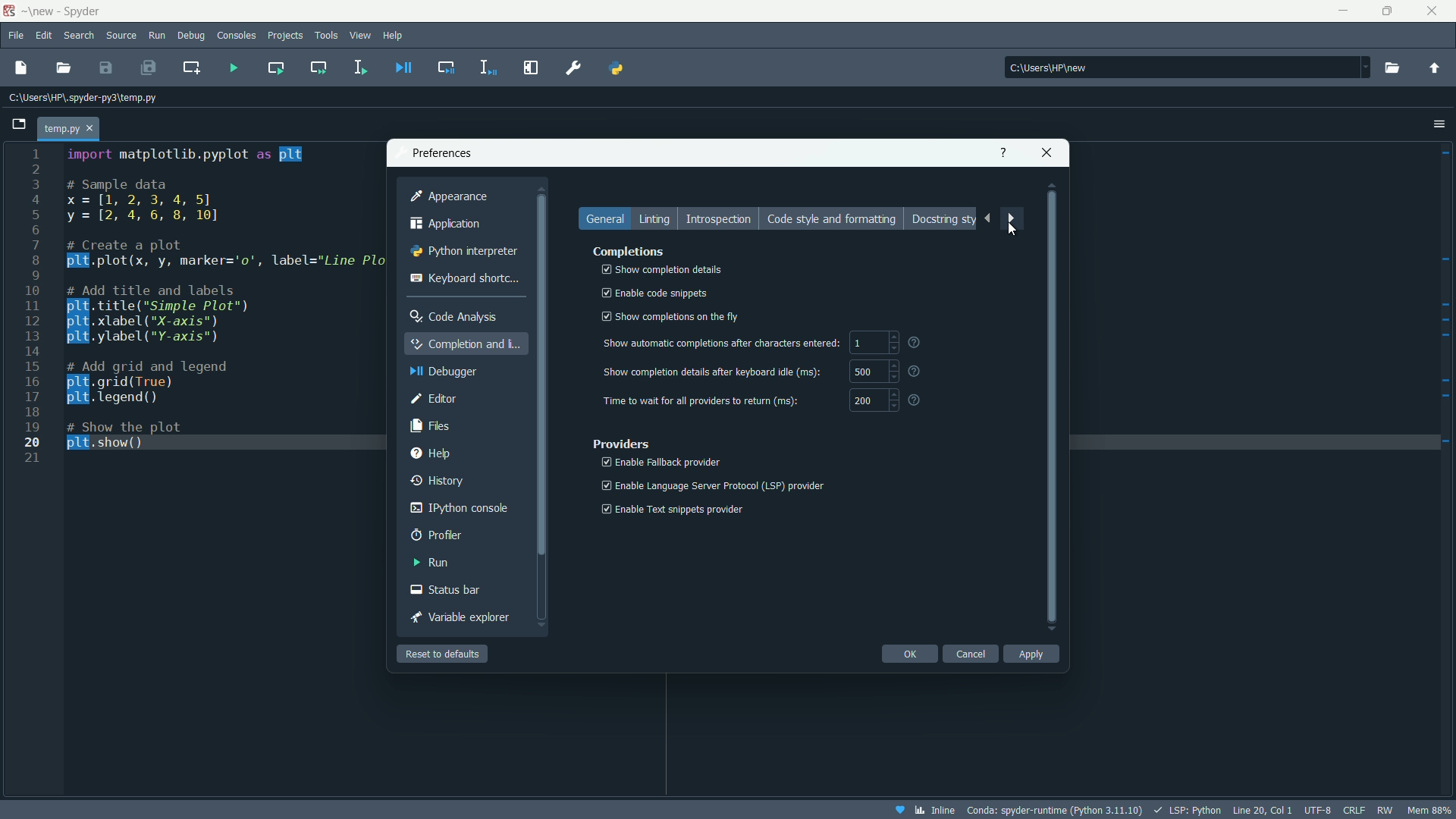  What do you see at coordinates (33, 306) in the screenshot?
I see `line numbers` at bounding box center [33, 306].